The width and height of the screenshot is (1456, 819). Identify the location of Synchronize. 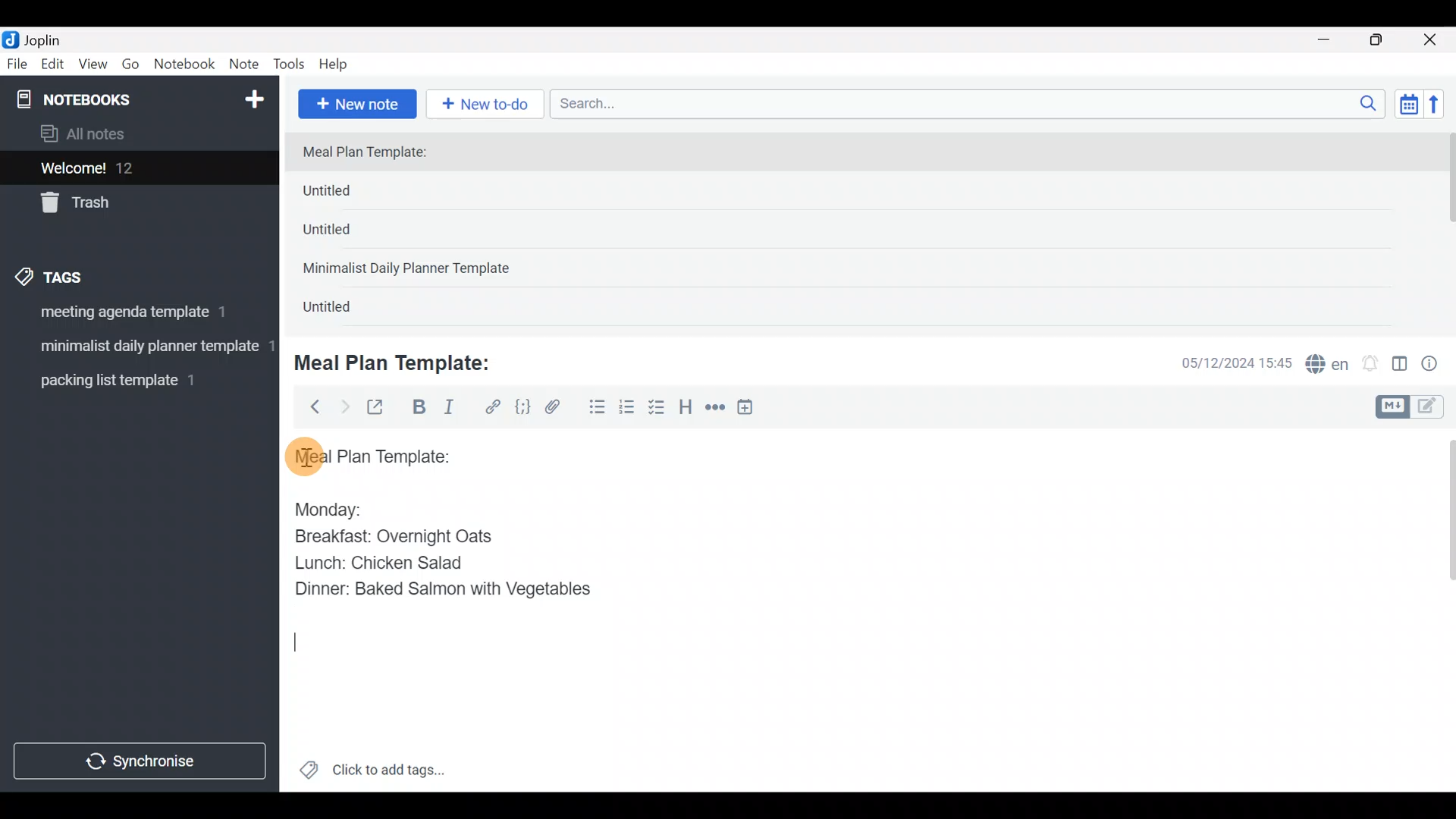
(142, 761).